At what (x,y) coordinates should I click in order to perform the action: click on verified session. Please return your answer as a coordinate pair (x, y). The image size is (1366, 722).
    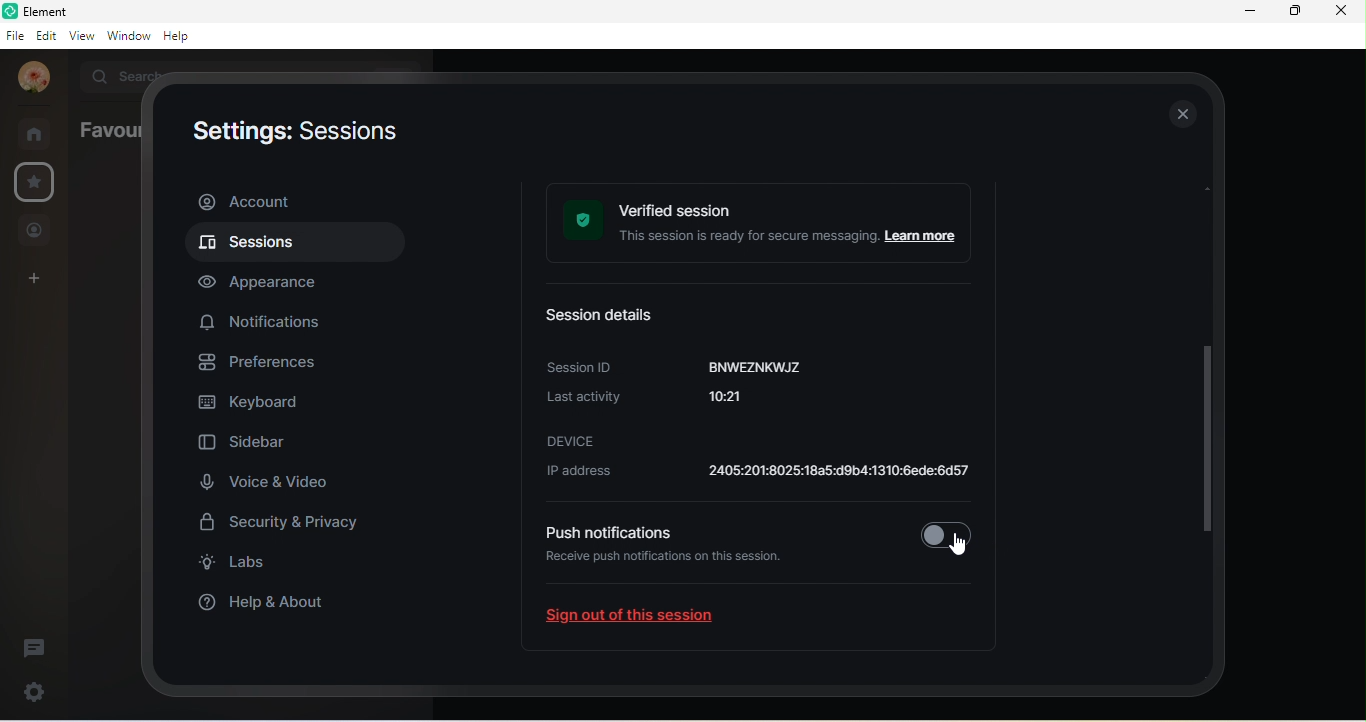
    Looking at the image, I should click on (765, 225).